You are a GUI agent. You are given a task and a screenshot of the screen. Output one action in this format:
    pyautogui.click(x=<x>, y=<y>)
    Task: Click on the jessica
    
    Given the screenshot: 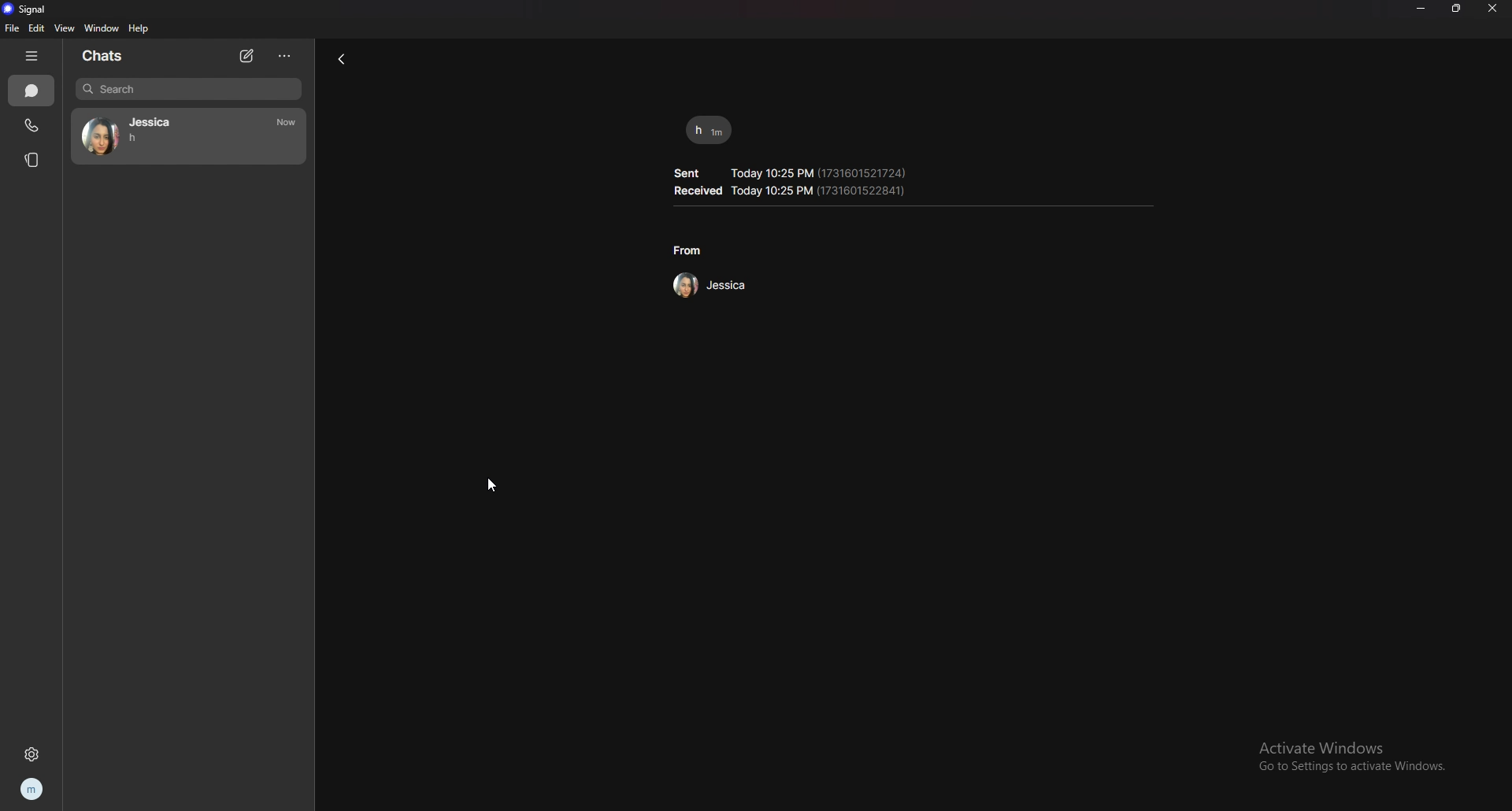 What is the action you would take?
    pyautogui.click(x=707, y=285)
    